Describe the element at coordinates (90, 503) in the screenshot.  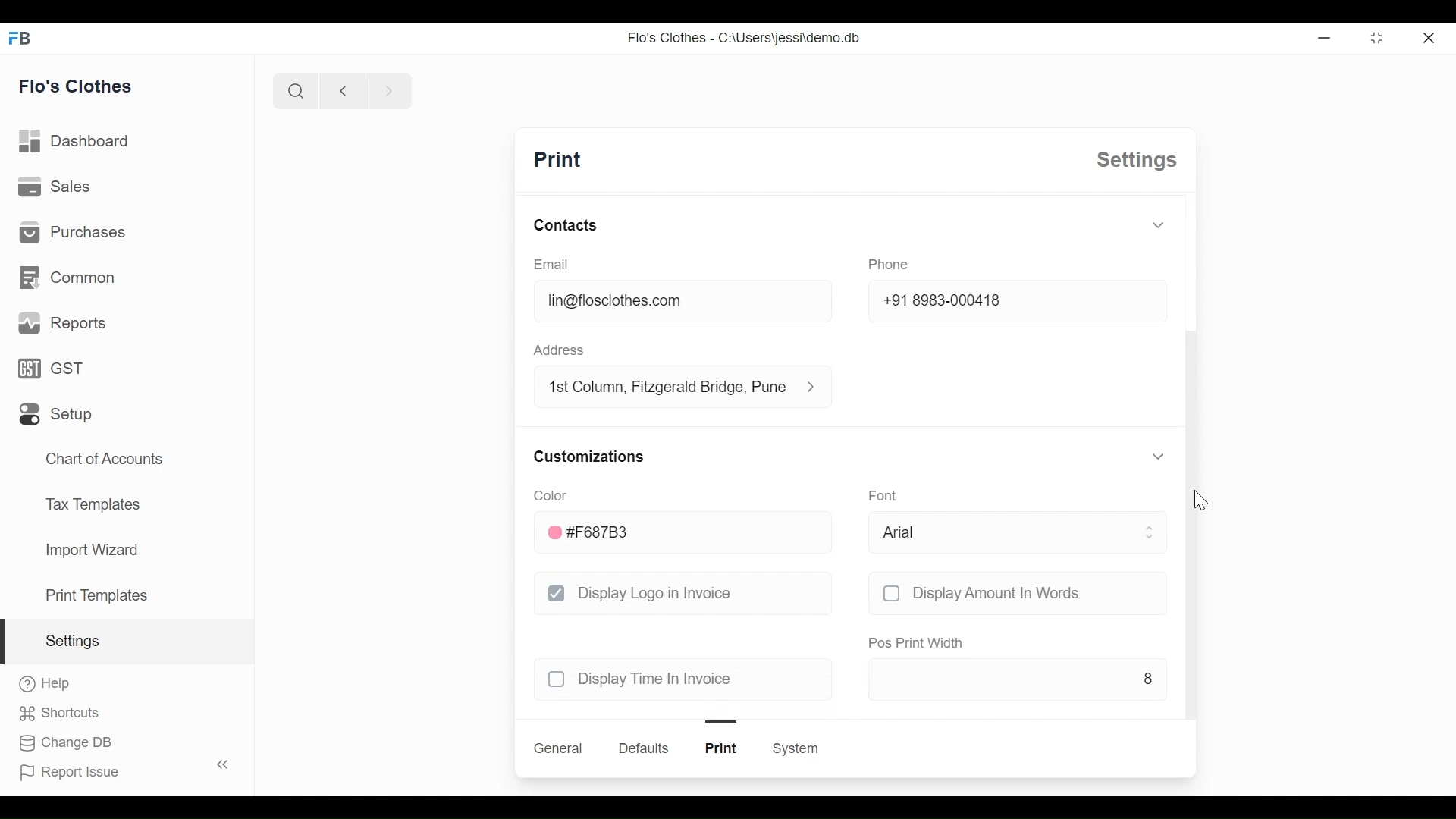
I see `tax templates` at that location.